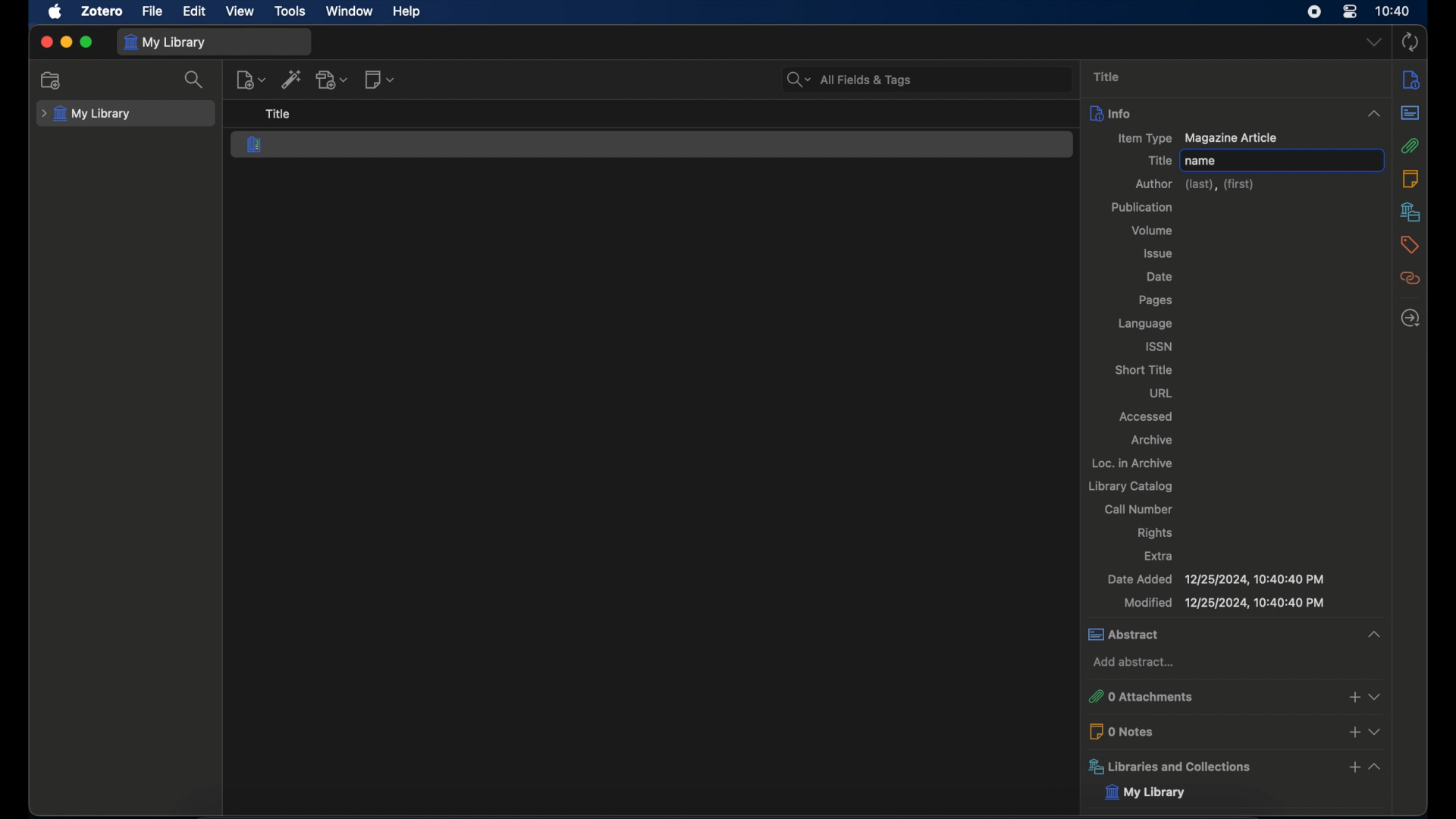  I want to click on attachments, so click(1410, 146).